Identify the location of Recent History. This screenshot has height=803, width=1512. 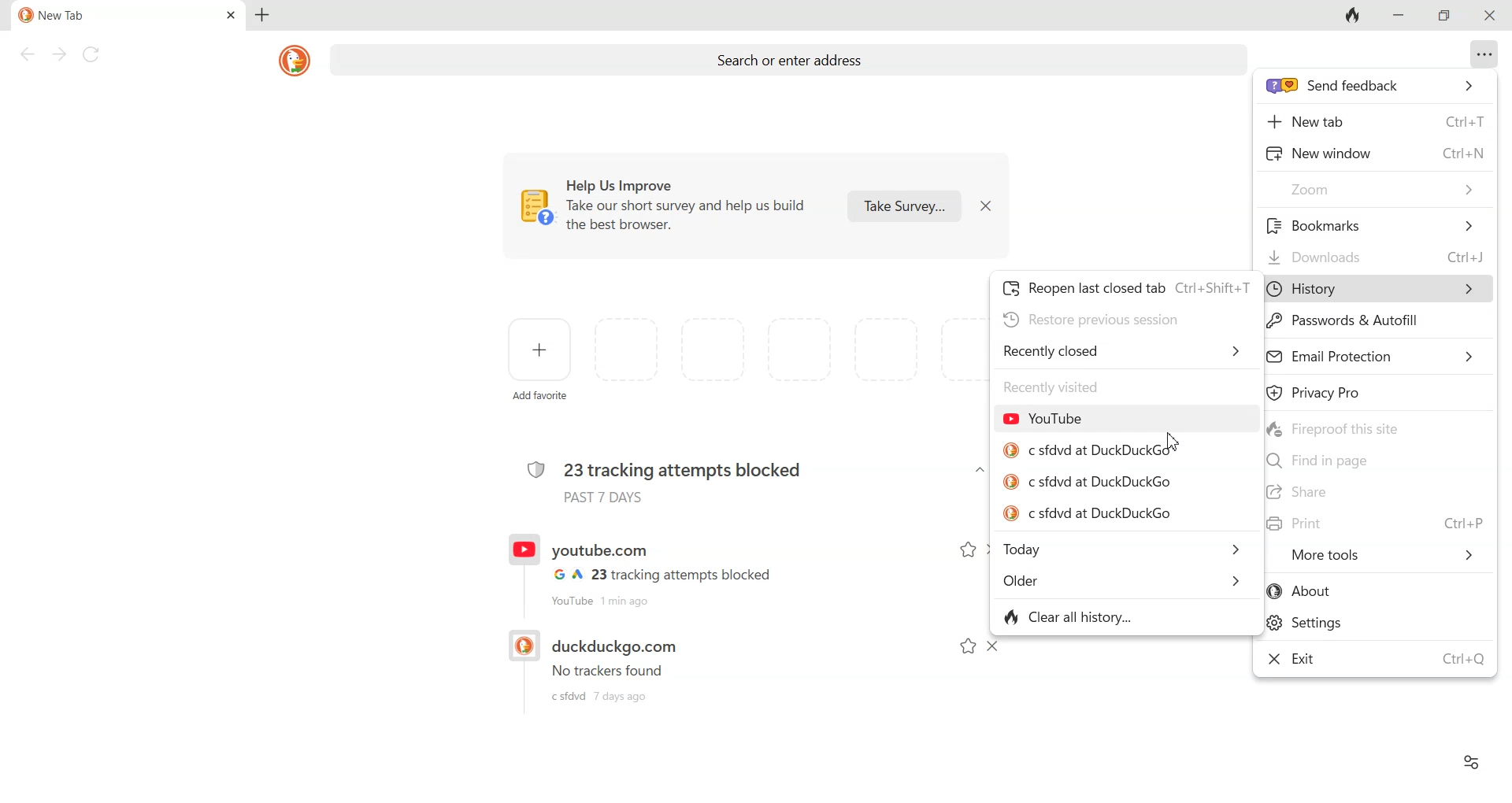
(660, 570).